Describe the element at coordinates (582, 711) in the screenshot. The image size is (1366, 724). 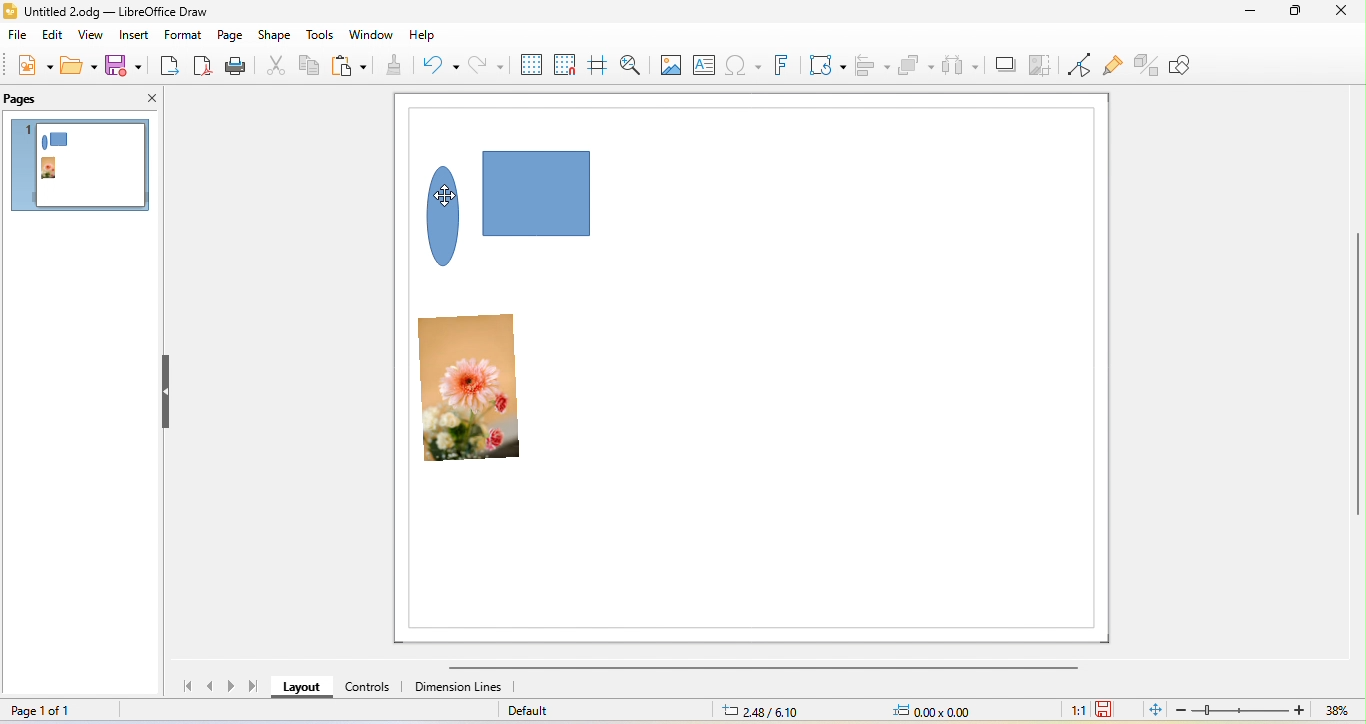
I see `default` at that location.